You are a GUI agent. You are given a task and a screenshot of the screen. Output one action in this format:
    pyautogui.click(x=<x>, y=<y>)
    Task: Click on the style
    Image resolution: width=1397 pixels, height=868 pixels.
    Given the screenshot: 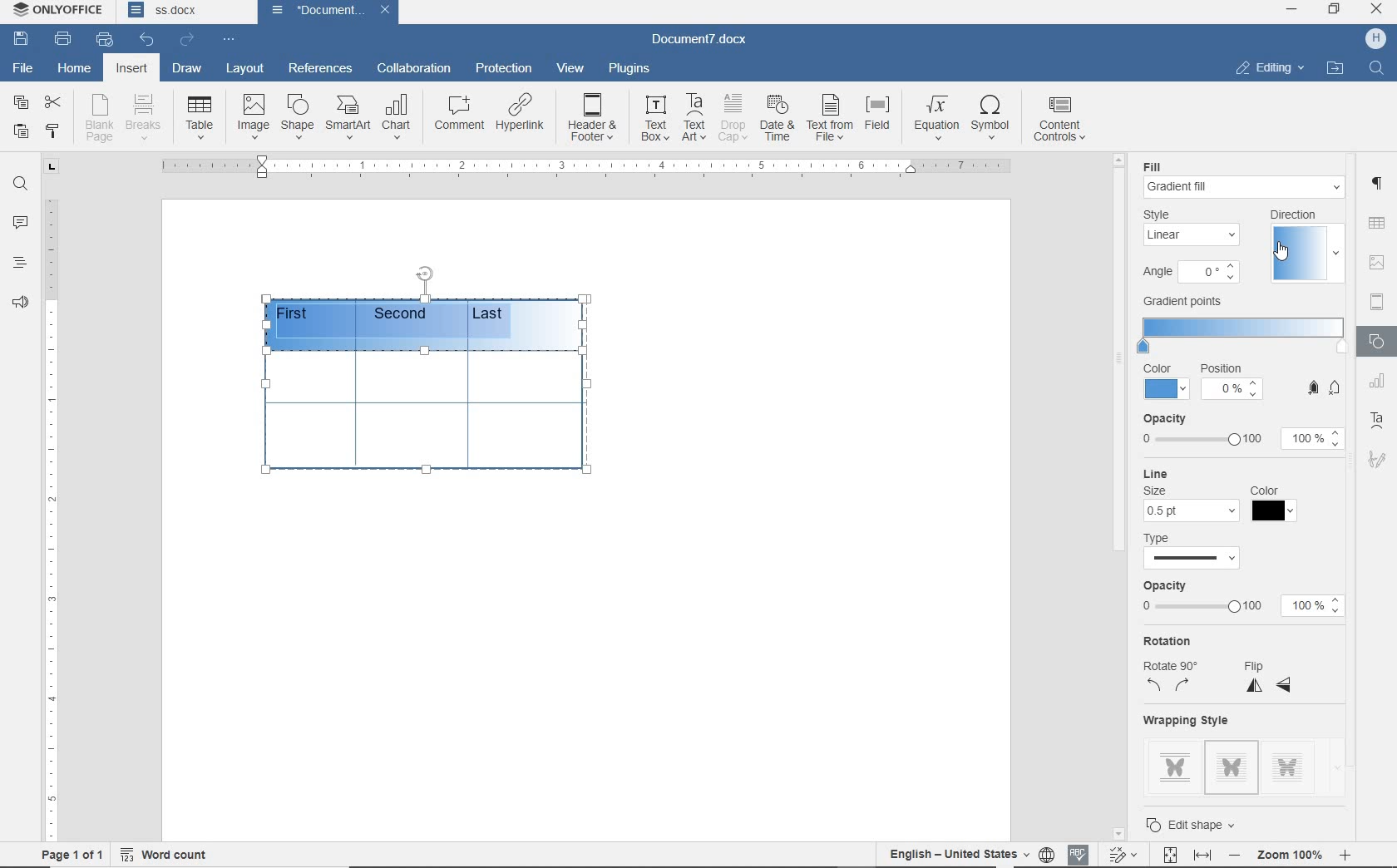 What is the action you would take?
    pyautogui.click(x=1167, y=214)
    